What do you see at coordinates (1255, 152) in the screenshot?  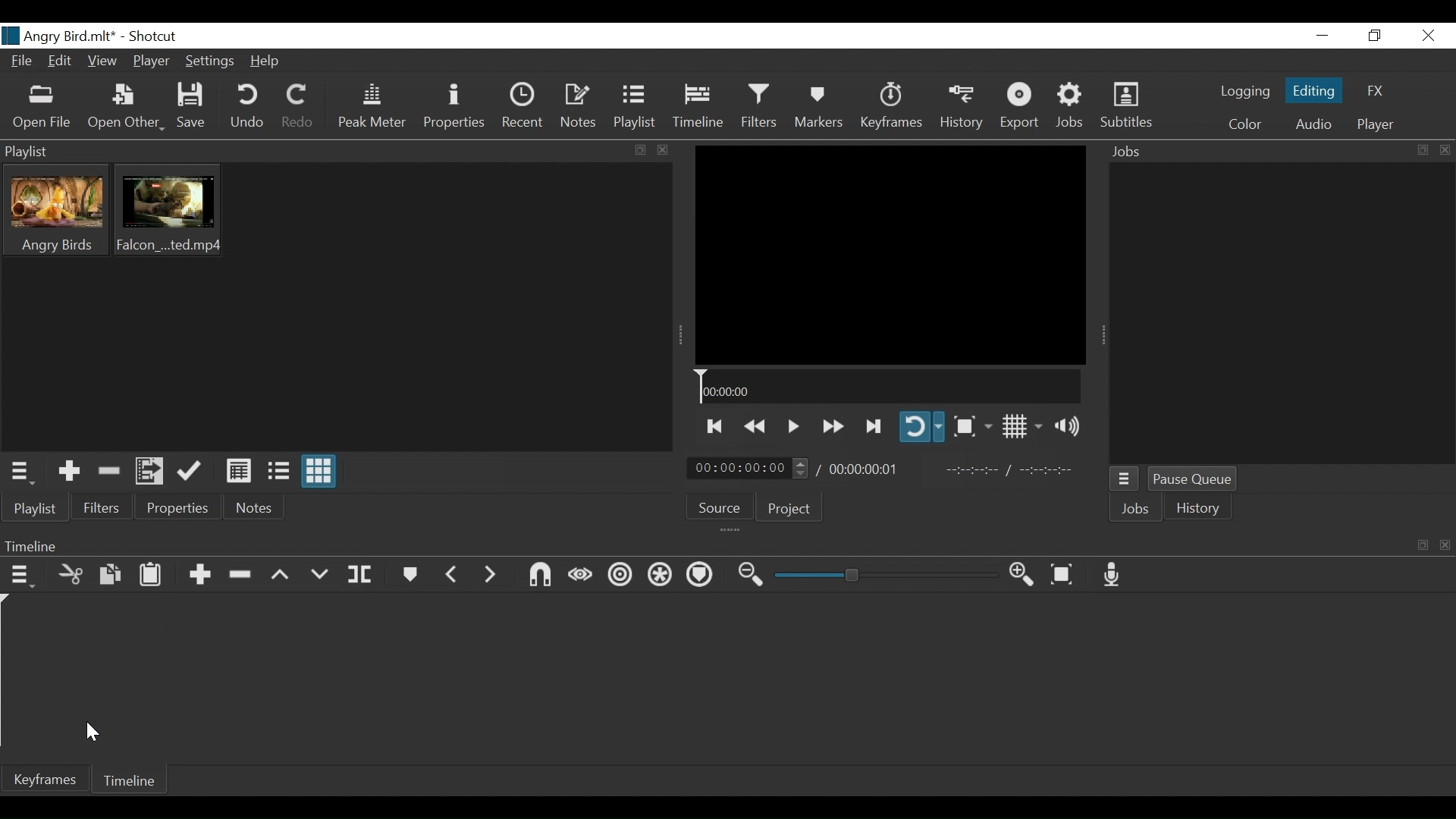 I see `Jobs Panel` at bounding box center [1255, 152].